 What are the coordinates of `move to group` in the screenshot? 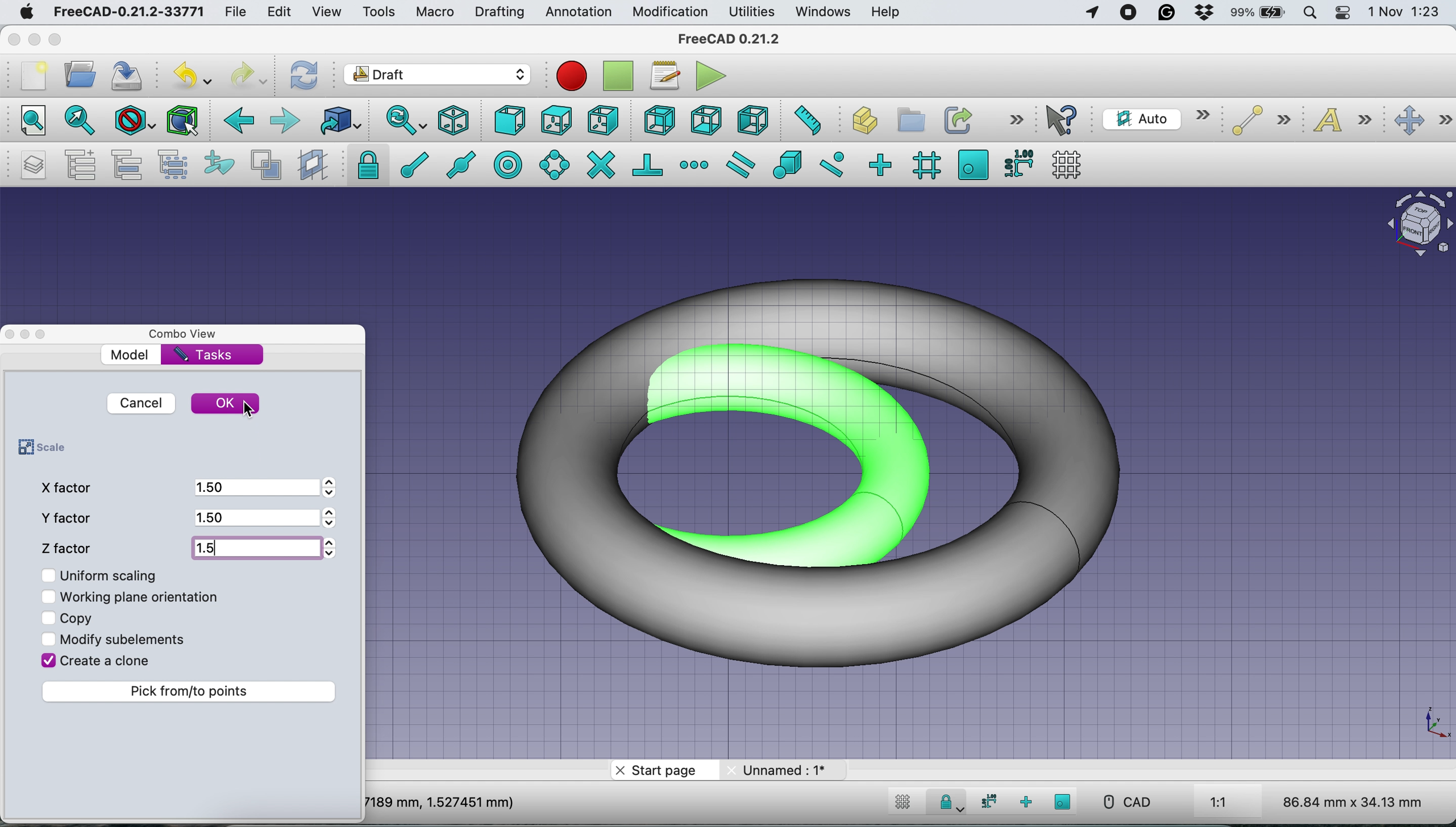 It's located at (131, 165).